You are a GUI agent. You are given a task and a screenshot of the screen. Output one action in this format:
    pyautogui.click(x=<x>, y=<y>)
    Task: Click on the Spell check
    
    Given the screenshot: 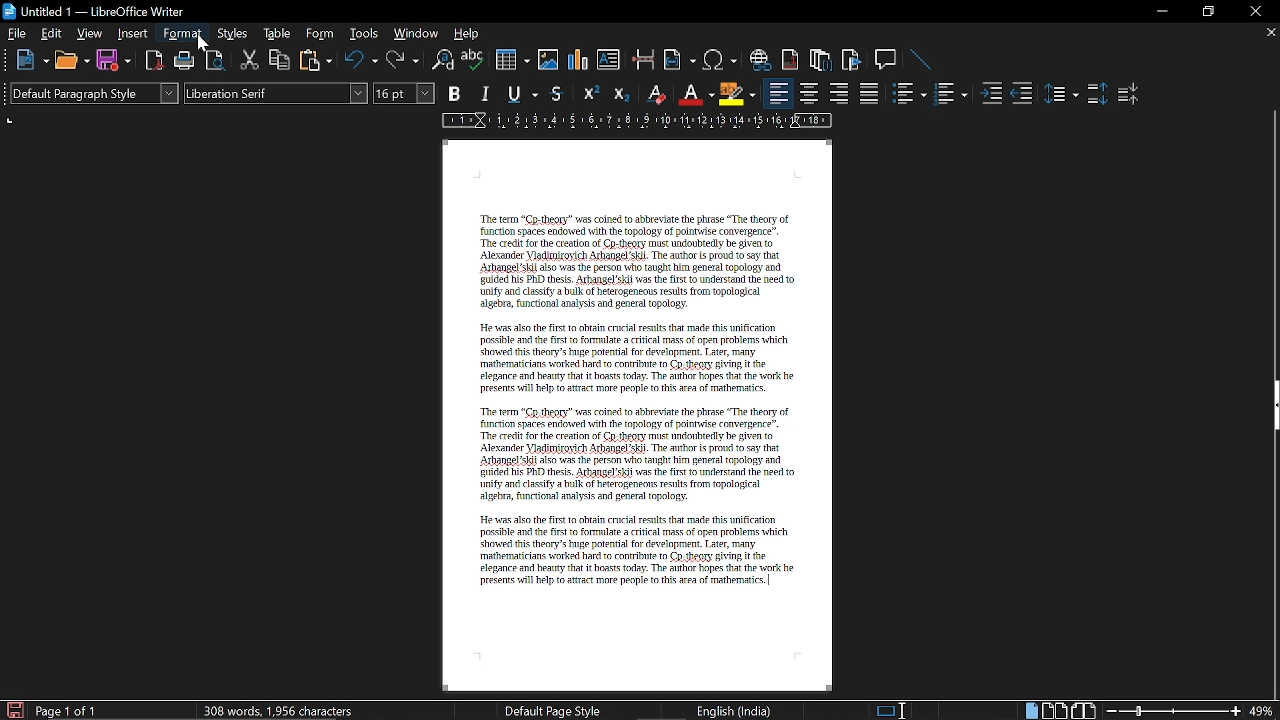 What is the action you would take?
    pyautogui.click(x=473, y=59)
    